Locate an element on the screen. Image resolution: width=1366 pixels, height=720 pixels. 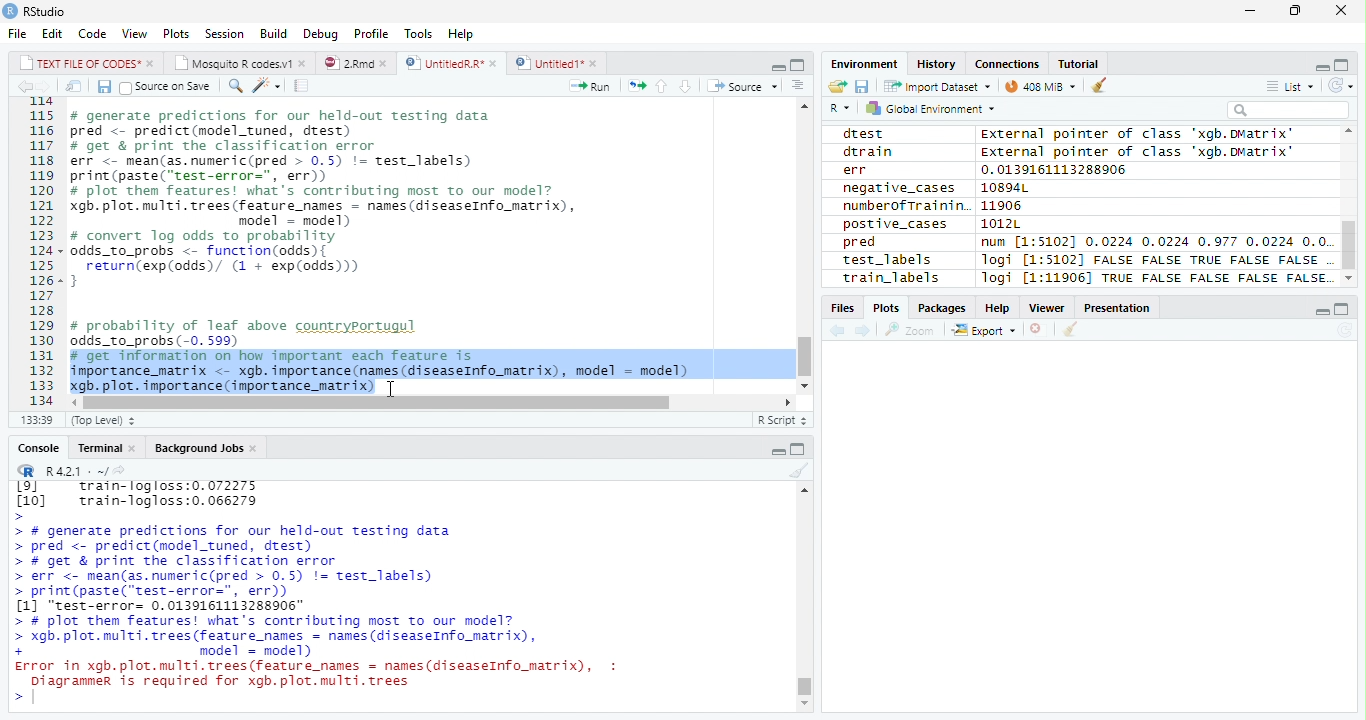
# generate predictions for our held-out testing data
pred <- predict(model_tuned, drest)
# get & print the classification error
err <- mean(as.numeric(pred > 0.5) != test_labels)
print (paste(“test-error=", err))
# plot them features! what's contributing most to our model?
gb. plot. multi. trees (feature_names = names (diseaseInfo_matrix),
model = model)
# convert log odds to probability
odds_to_probs <- function(odds){
return(exp(odds)/ (1 + exp(0dds)))
3 is located at coordinates (334, 204).